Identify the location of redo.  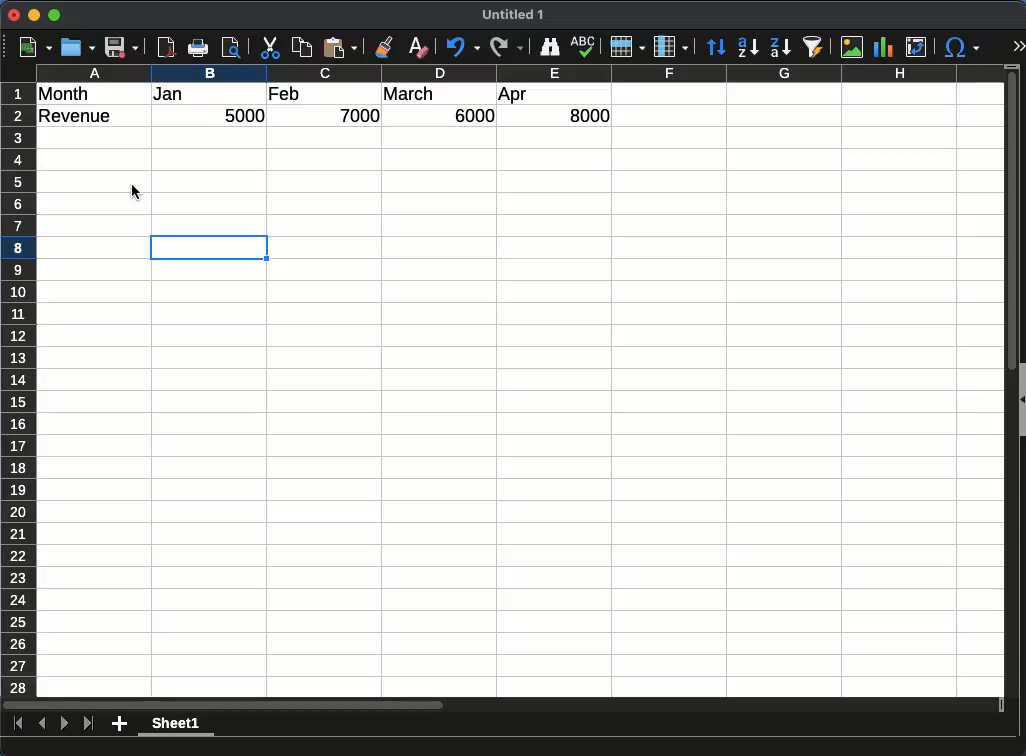
(507, 47).